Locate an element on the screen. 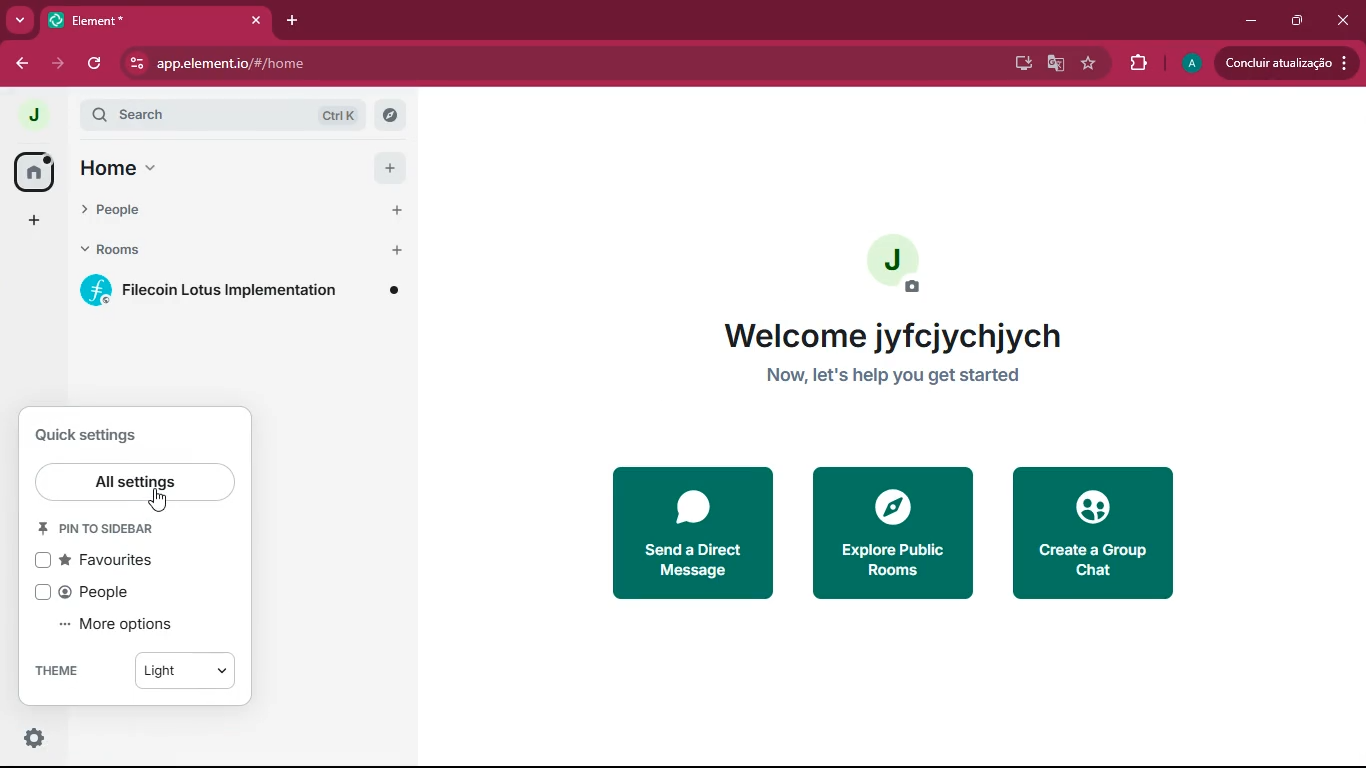  THEME is located at coordinates (56, 670).